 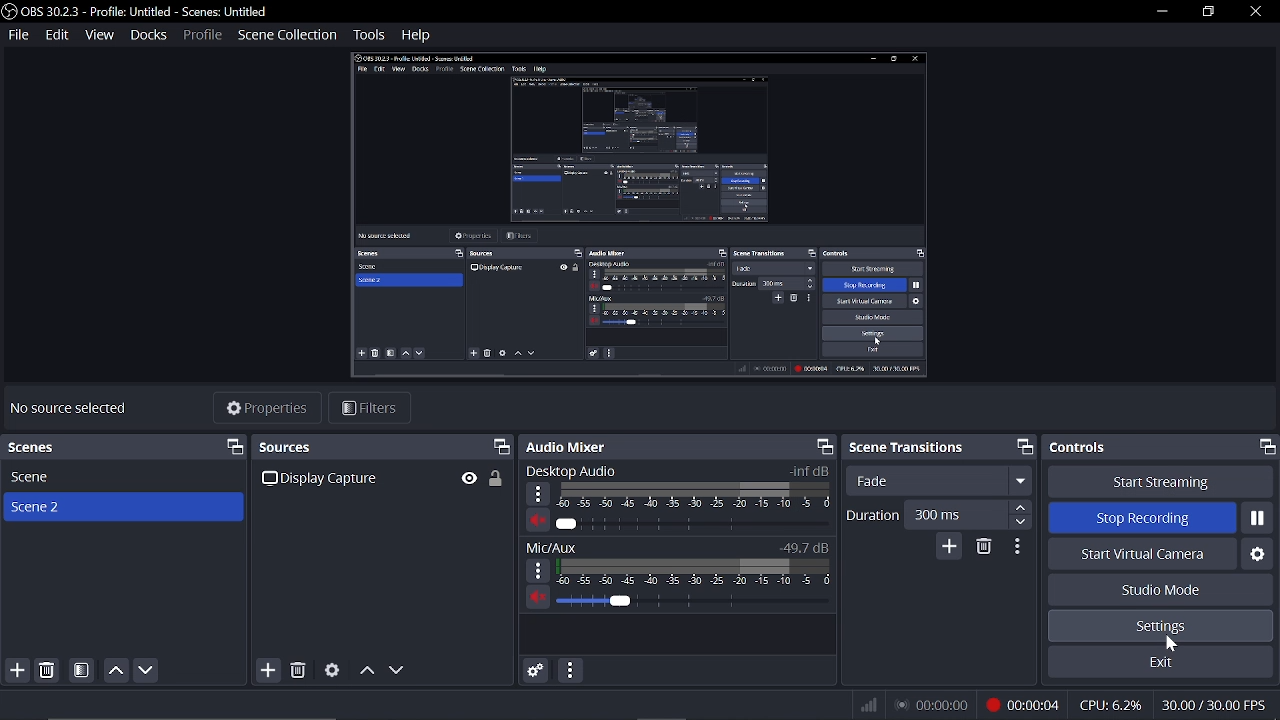 I want to click on scene collection, so click(x=289, y=34).